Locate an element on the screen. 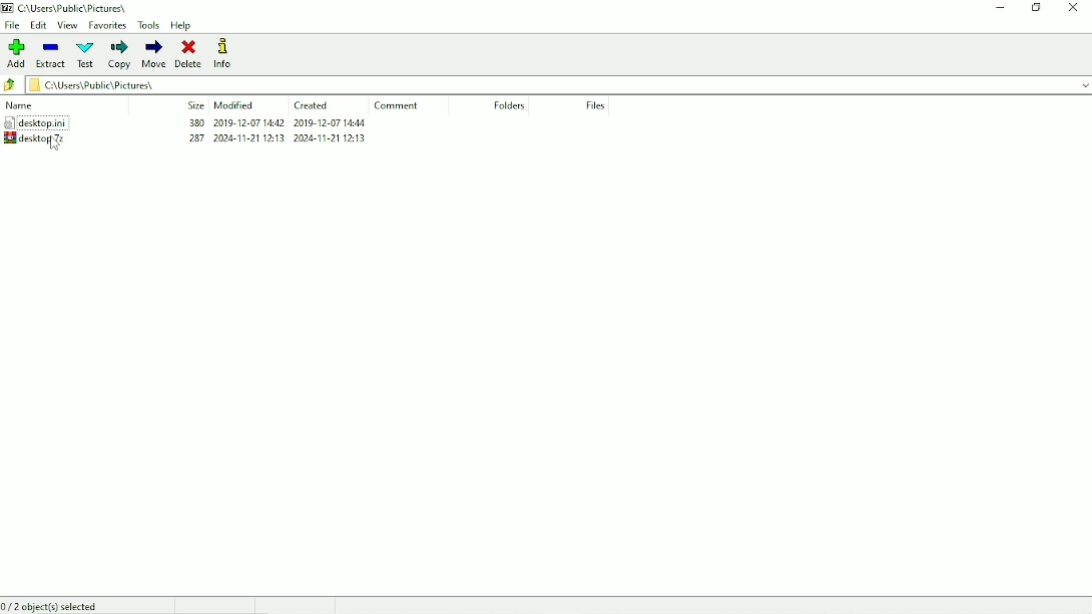 This screenshot has width=1092, height=614. 380 2019-12-07 1442 2019-12-07 14M is located at coordinates (275, 124).